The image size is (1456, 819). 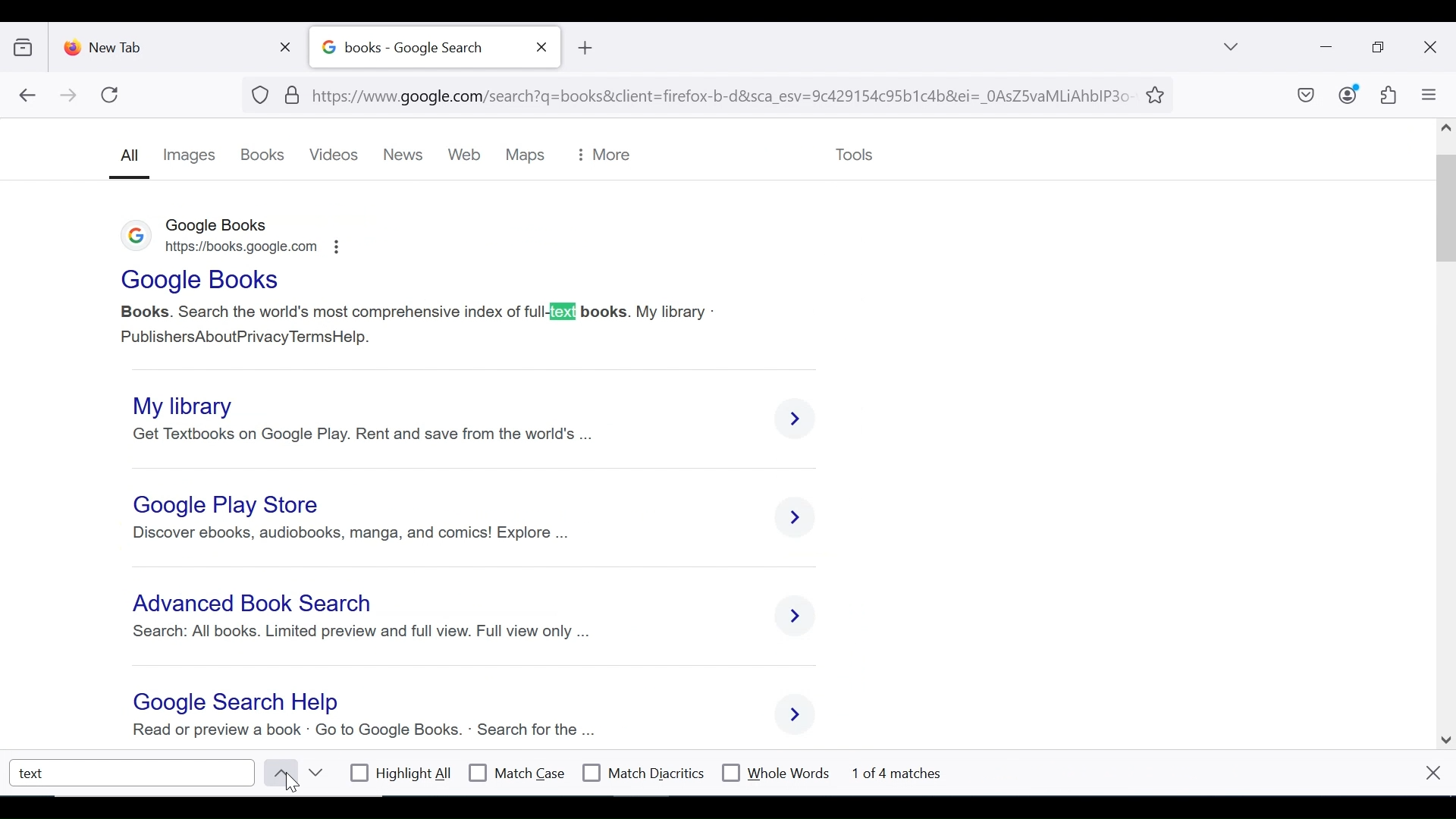 What do you see at coordinates (256, 606) in the screenshot?
I see `Advanced BooK search` at bounding box center [256, 606].